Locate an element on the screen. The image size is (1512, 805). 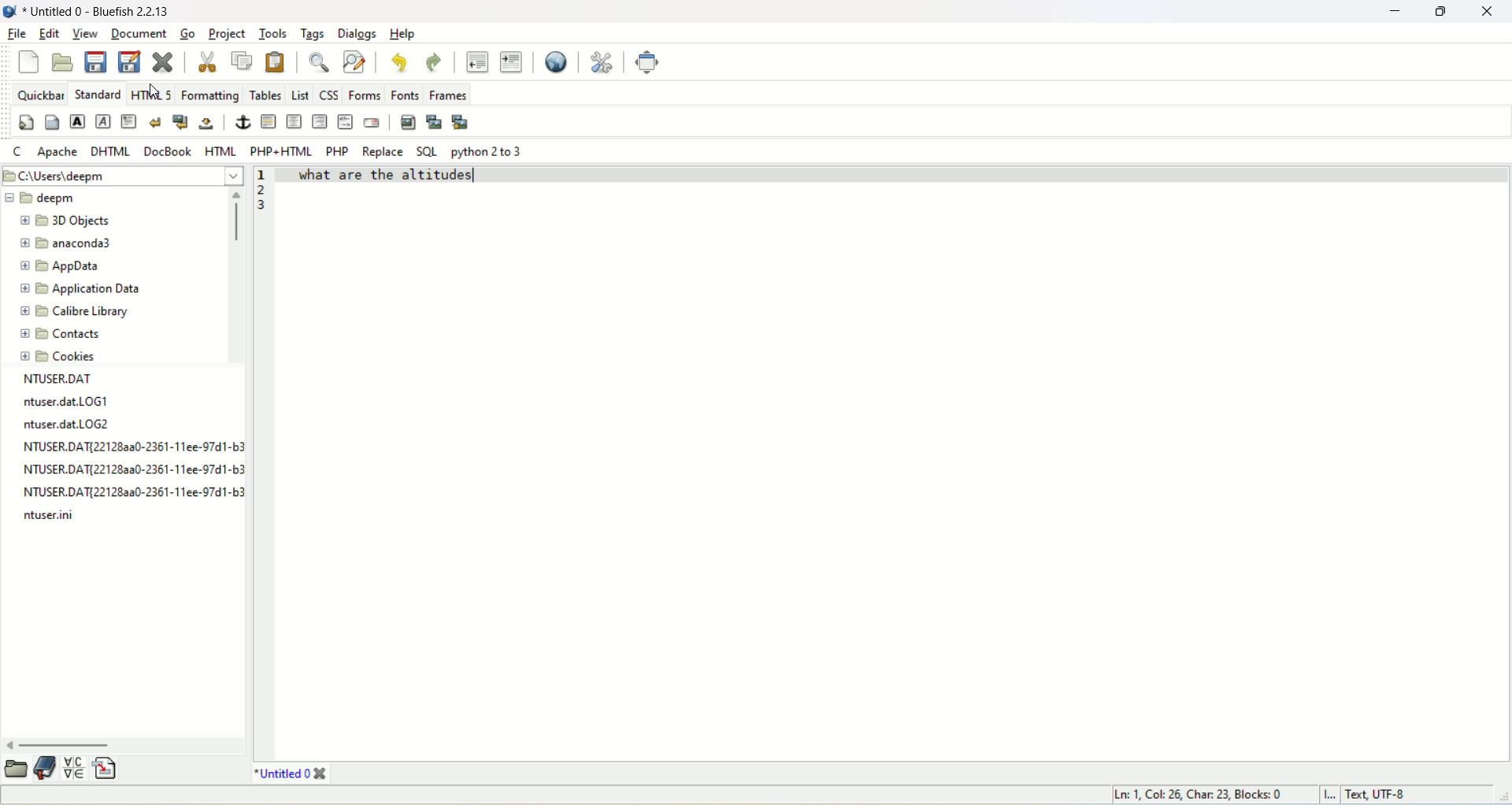
DocBook is located at coordinates (168, 153).